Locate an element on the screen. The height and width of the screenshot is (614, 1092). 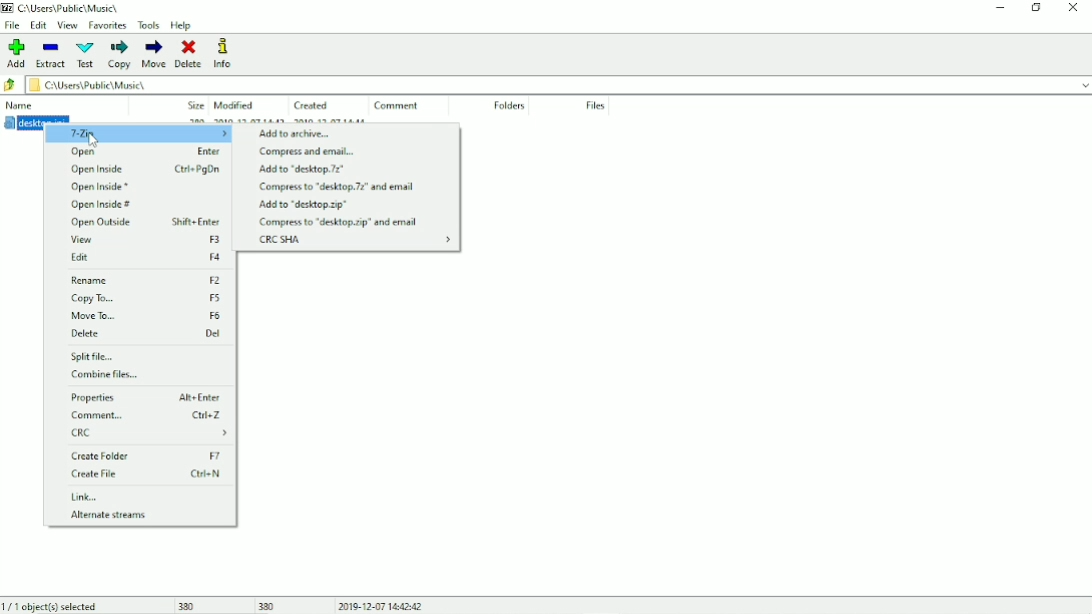
Add is located at coordinates (17, 53).